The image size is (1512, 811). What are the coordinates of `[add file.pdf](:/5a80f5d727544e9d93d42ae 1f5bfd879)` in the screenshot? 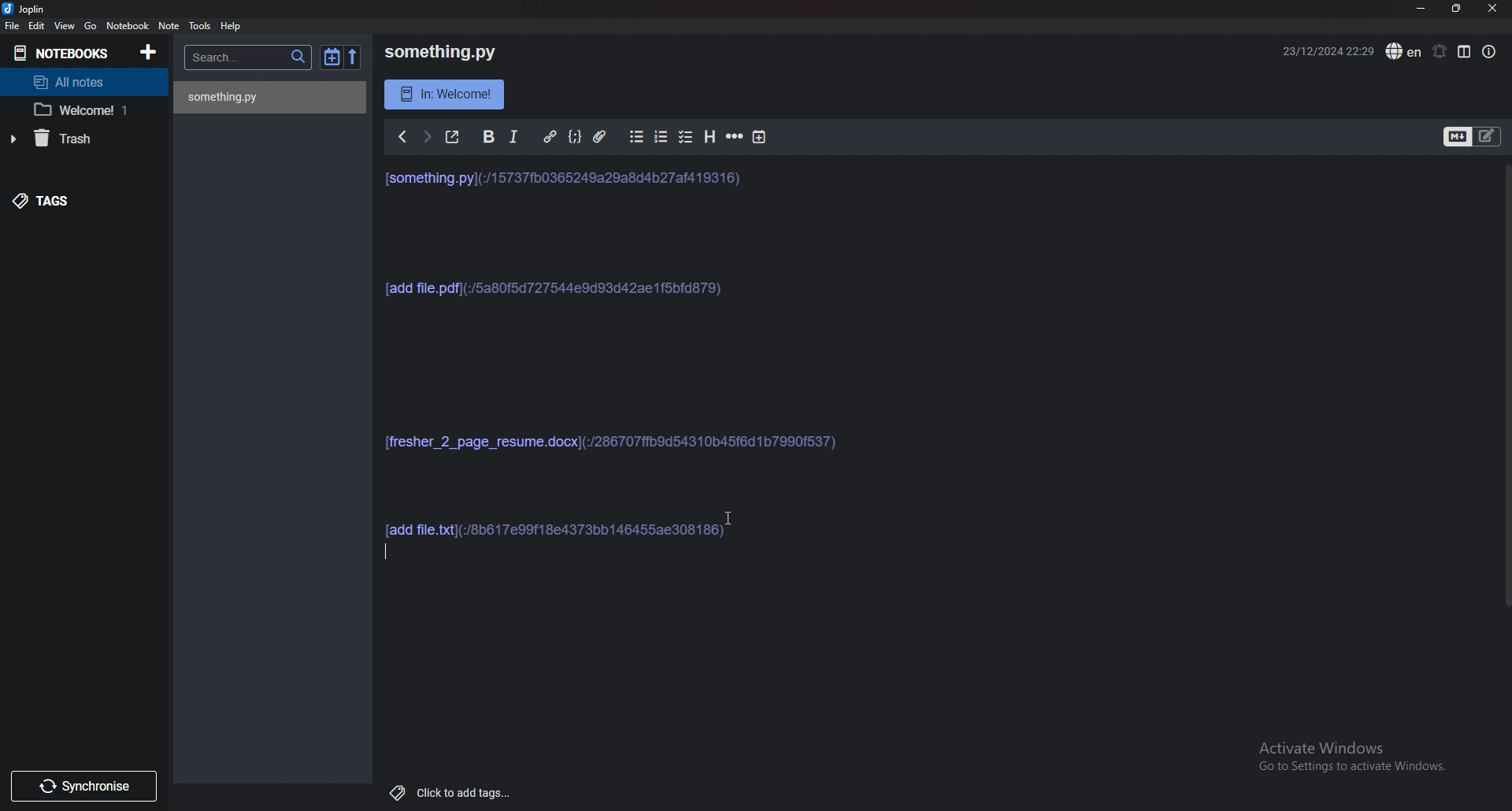 It's located at (554, 287).